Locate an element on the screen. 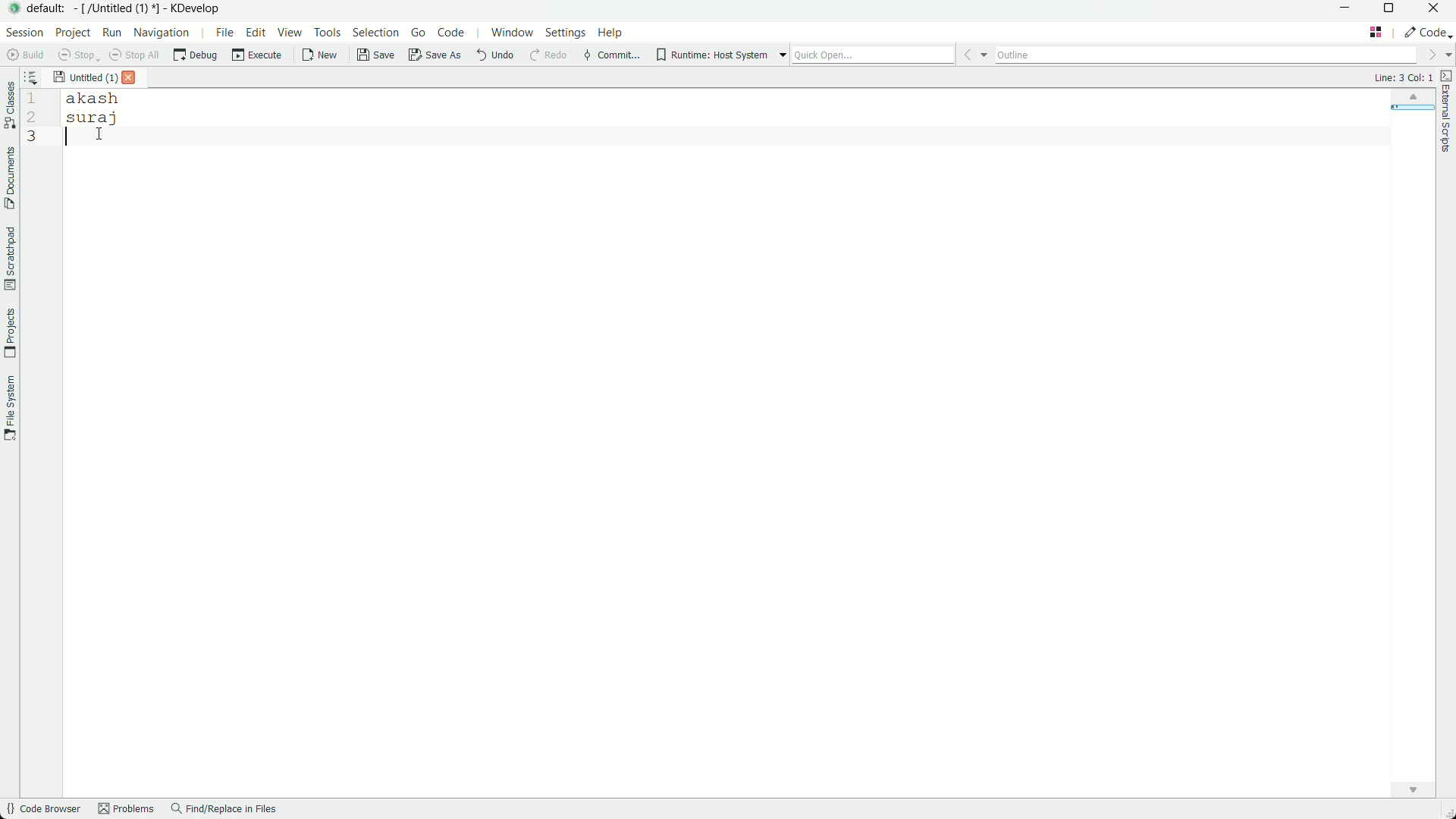  projects is located at coordinates (10, 334).